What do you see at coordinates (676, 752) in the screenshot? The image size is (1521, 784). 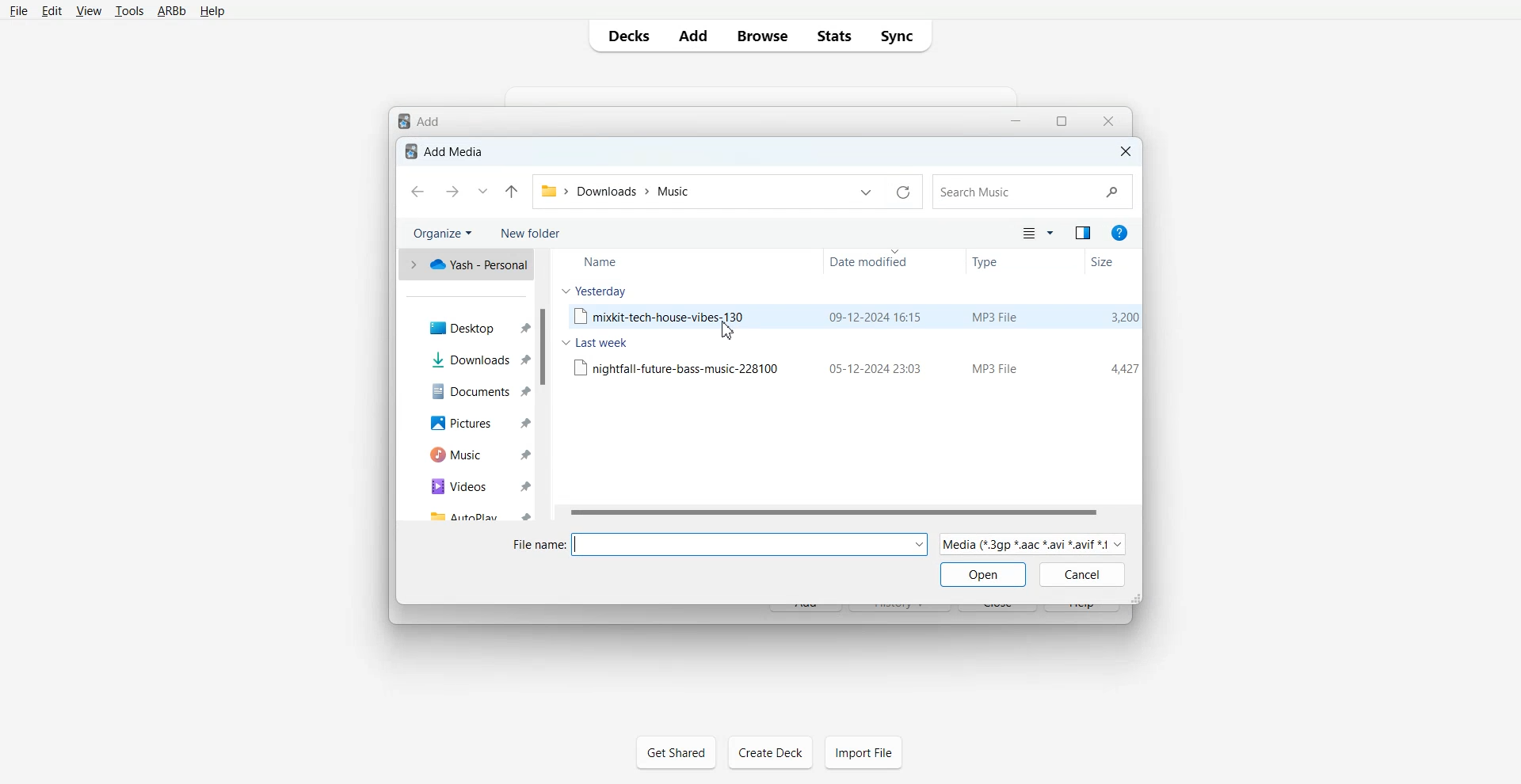 I see `Get Shared` at bounding box center [676, 752].